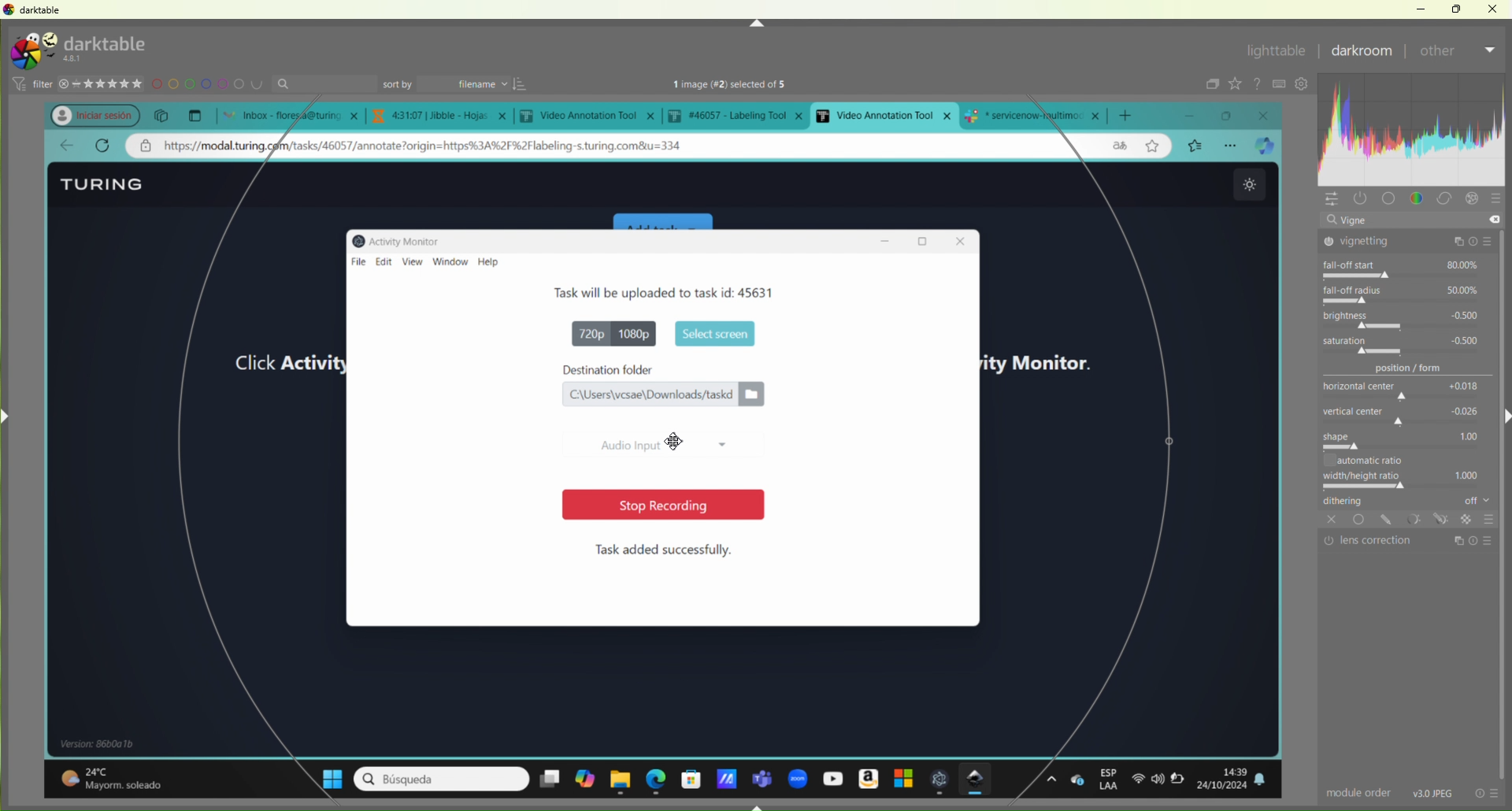  I want to click on vignetting, so click(1411, 243).